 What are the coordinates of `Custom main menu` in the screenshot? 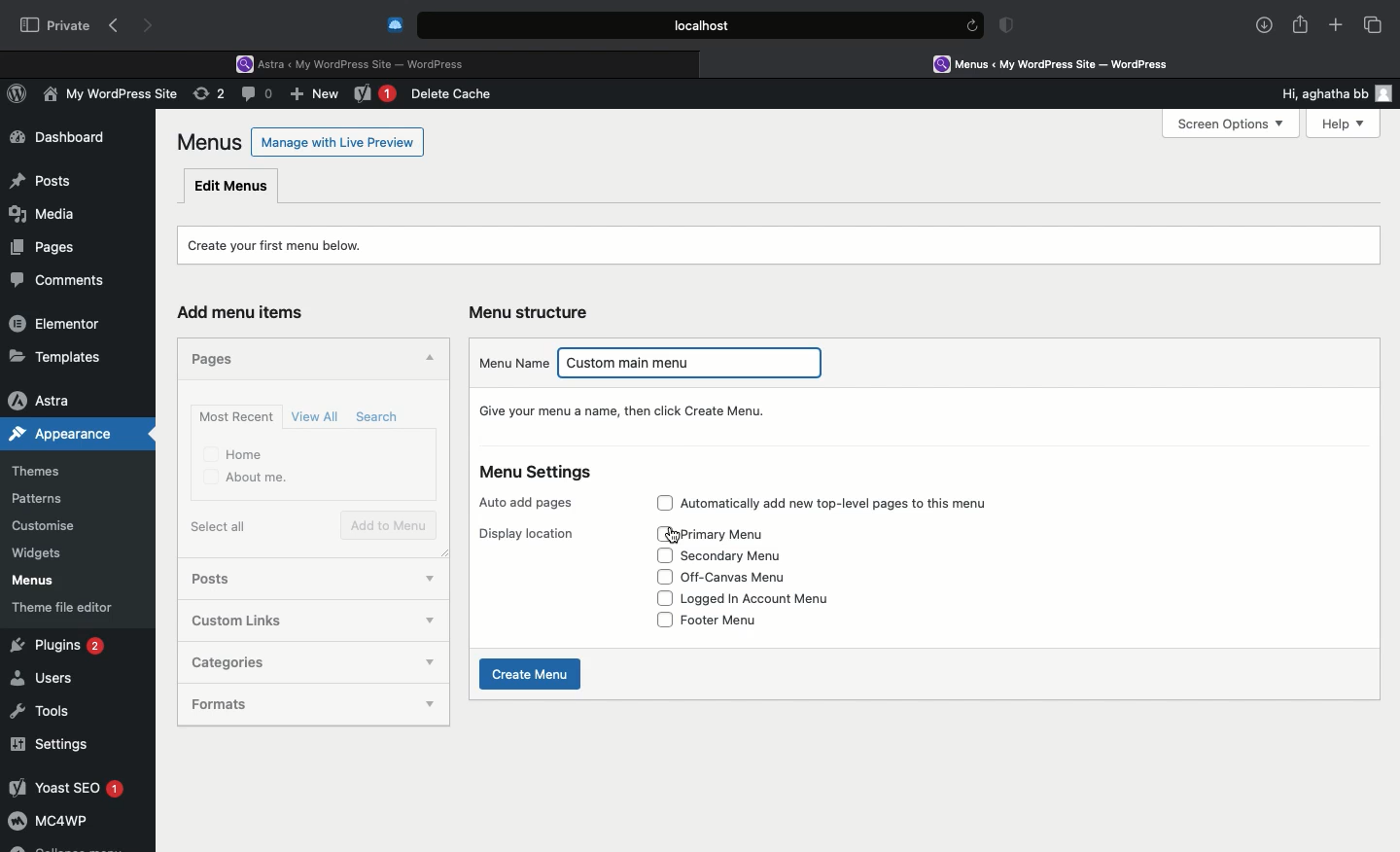 It's located at (697, 366).